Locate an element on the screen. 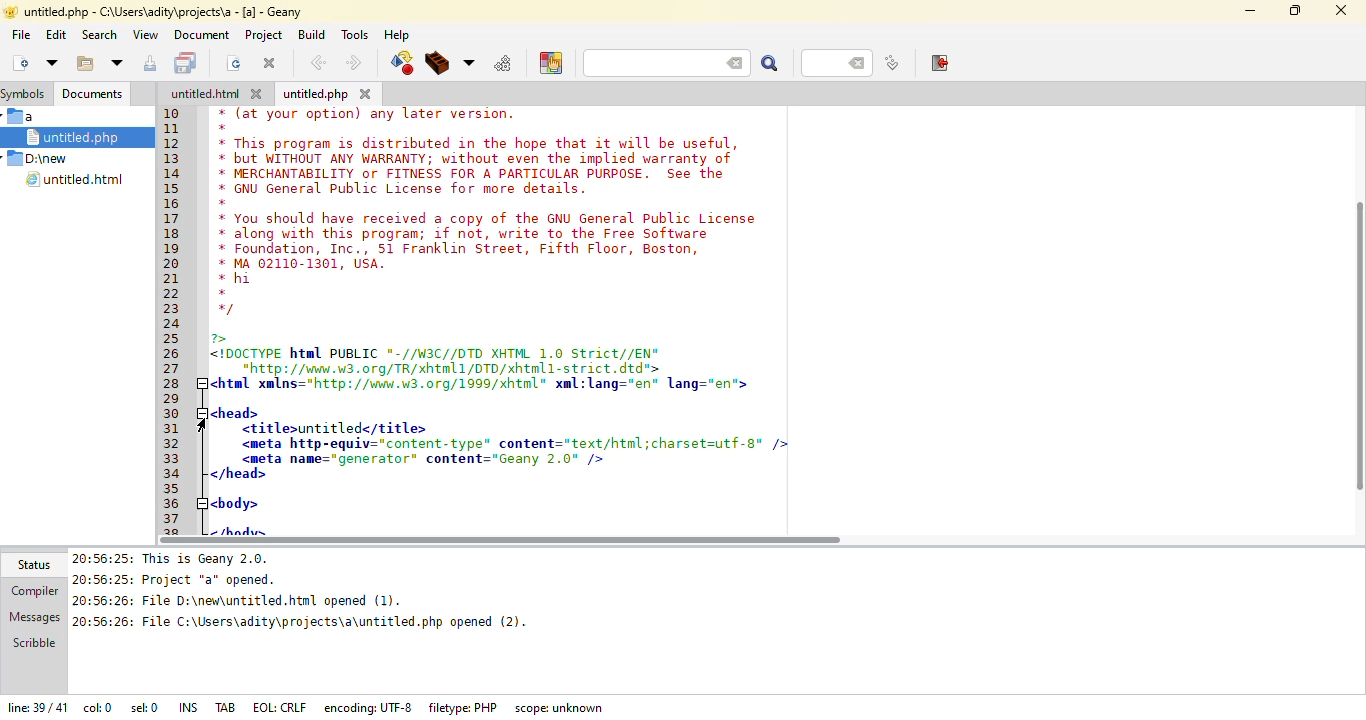 Image resolution: width=1366 pixels, height=720 pixels. app logo is located at coordinates (10, 13).